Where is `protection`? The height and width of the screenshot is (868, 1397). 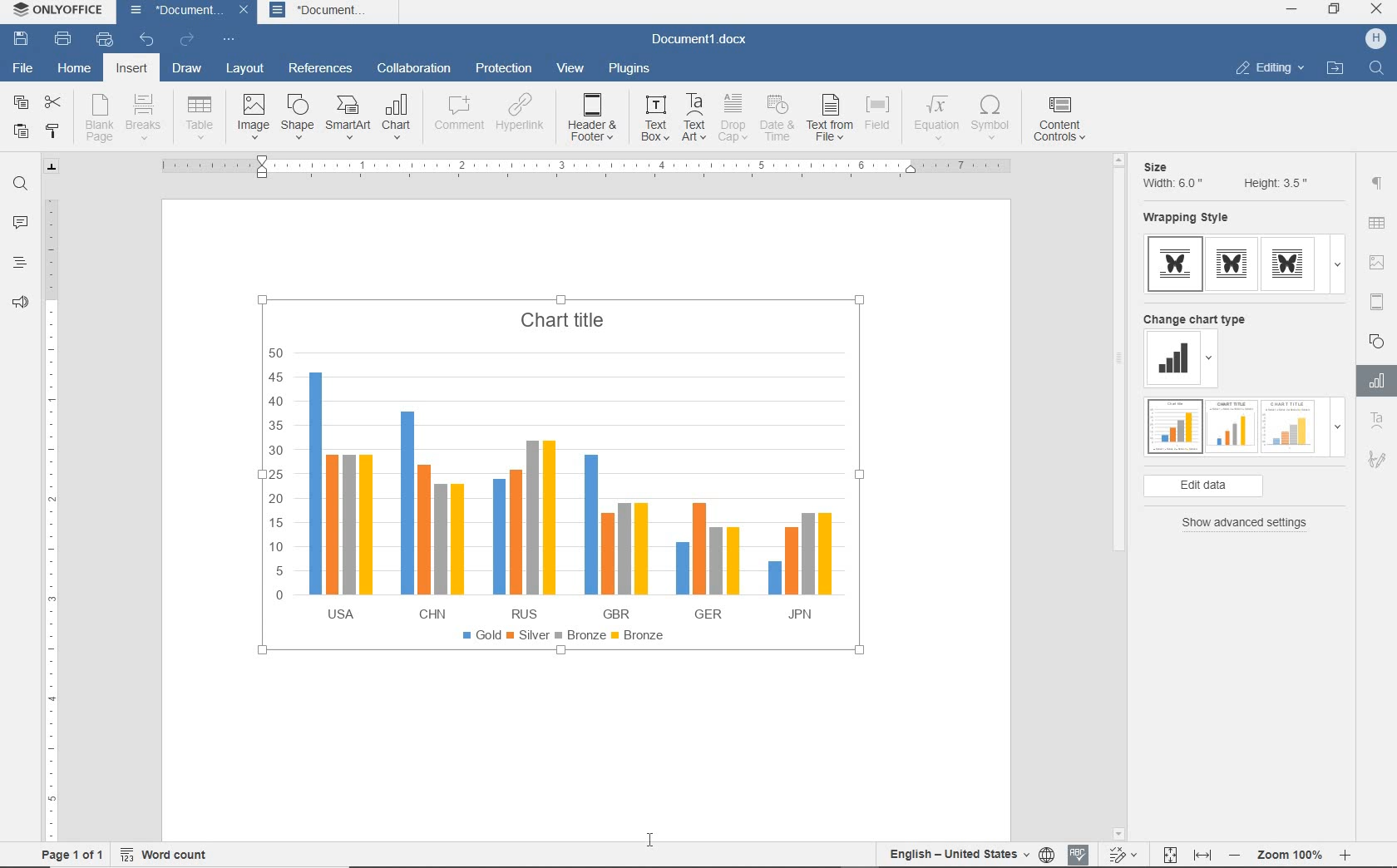
protection is located at coordinates (503, 67).